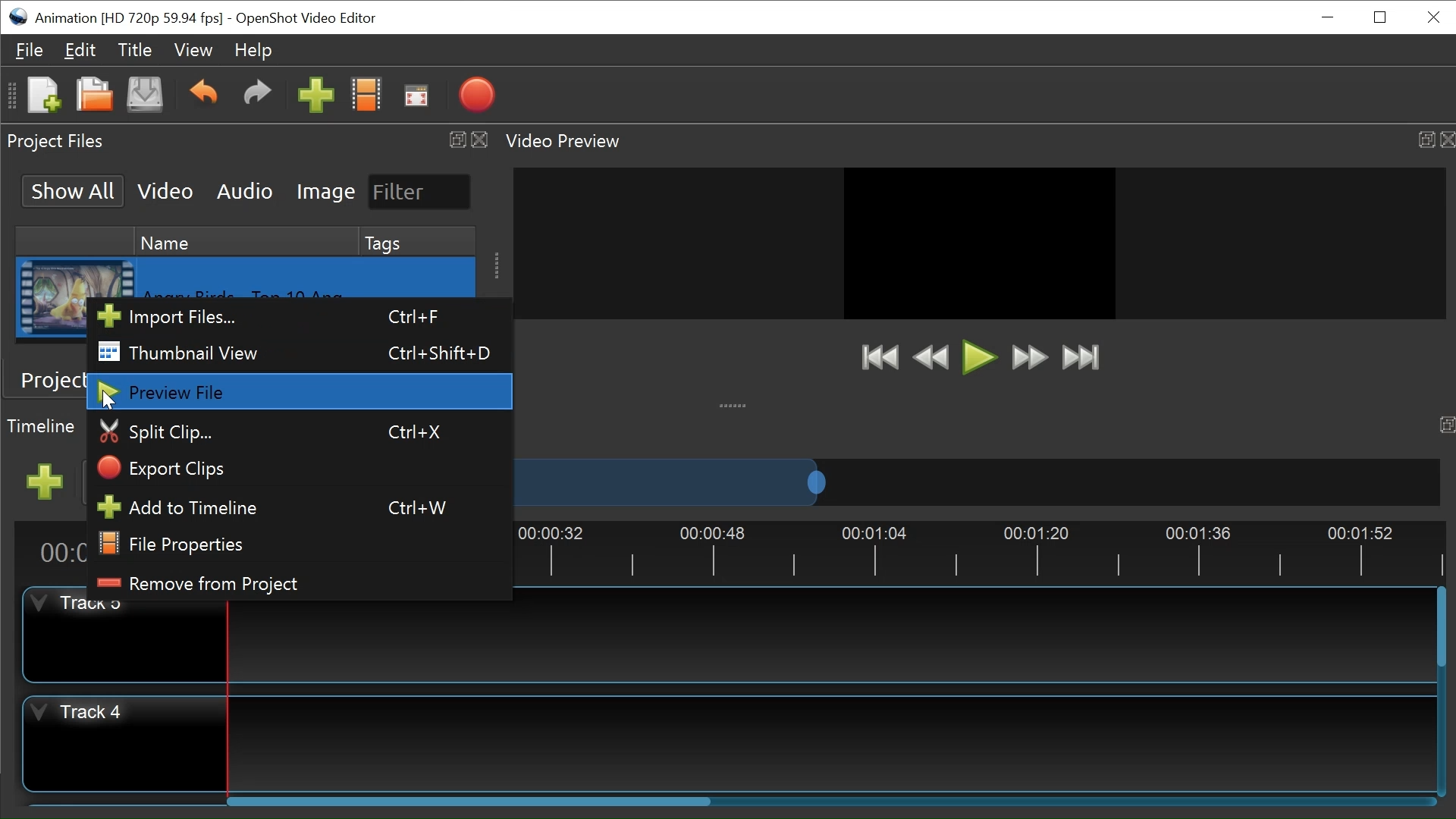 The width and height of the screenshot is (1456, 819). Describe the element at coordinates (420, 192) in the screenshot. I see `Filter` at that location.